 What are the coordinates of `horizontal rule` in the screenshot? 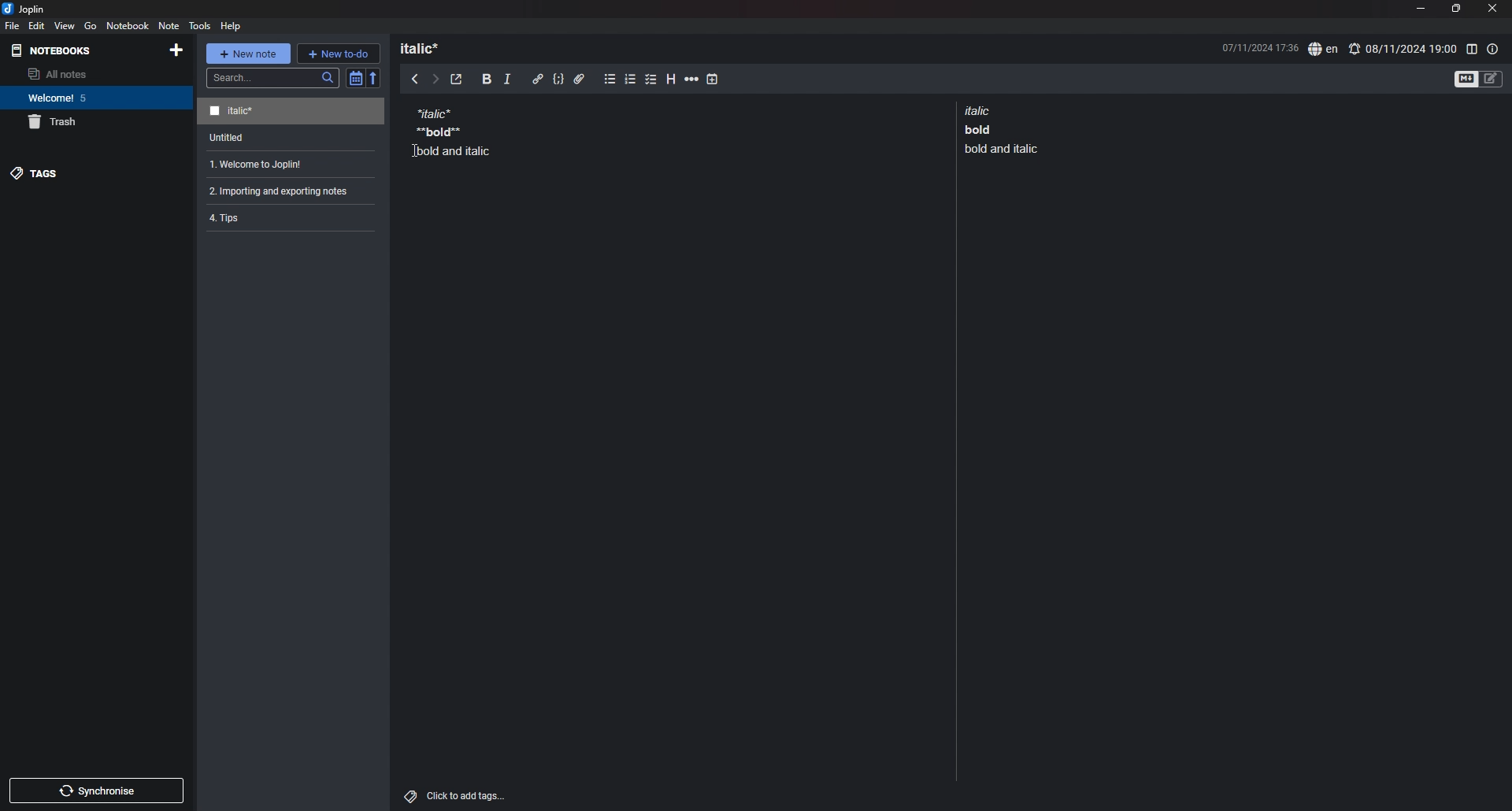 It's located at (691, 81).